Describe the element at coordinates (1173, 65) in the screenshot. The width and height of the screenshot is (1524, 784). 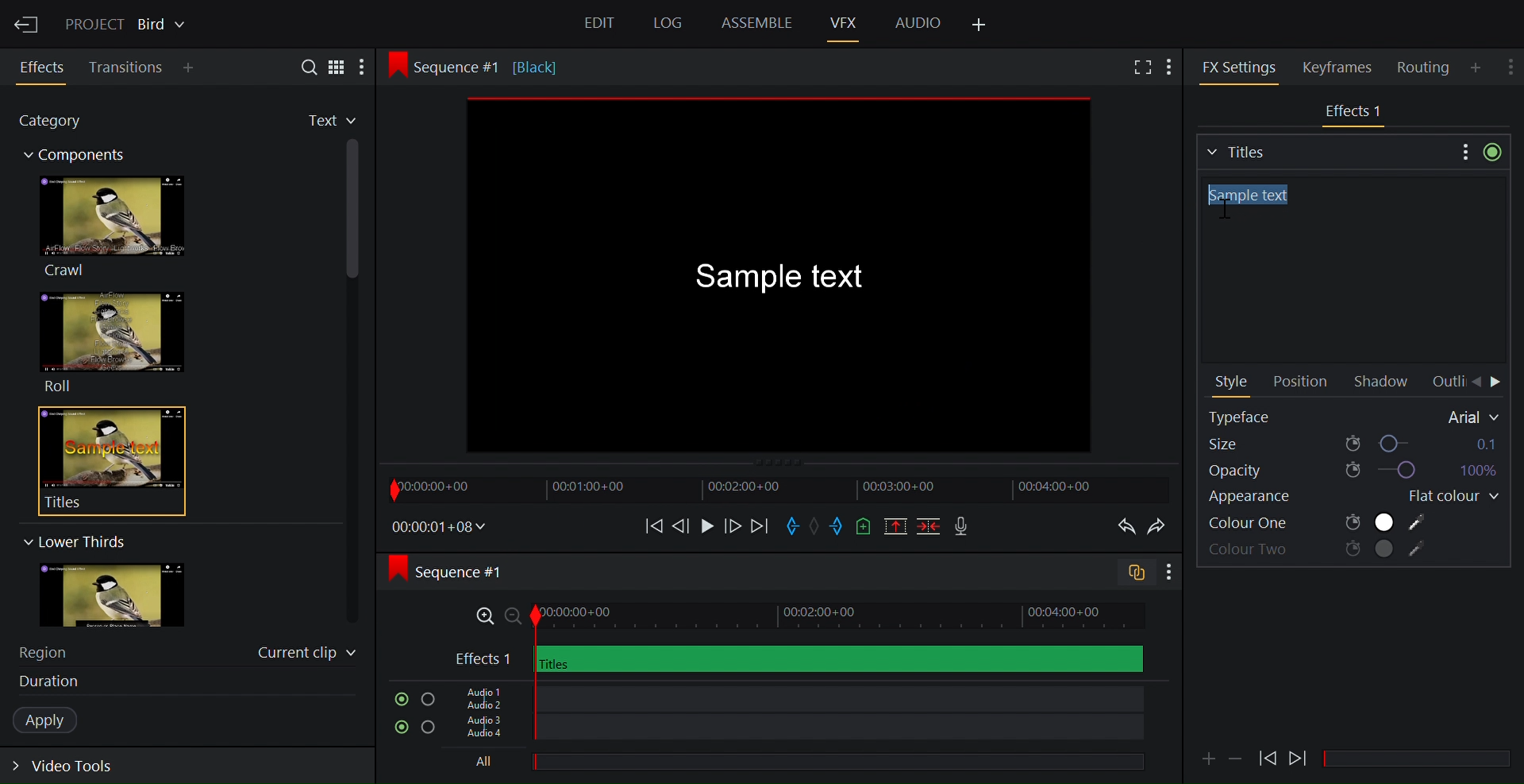
I see `Add Panel` at that location.